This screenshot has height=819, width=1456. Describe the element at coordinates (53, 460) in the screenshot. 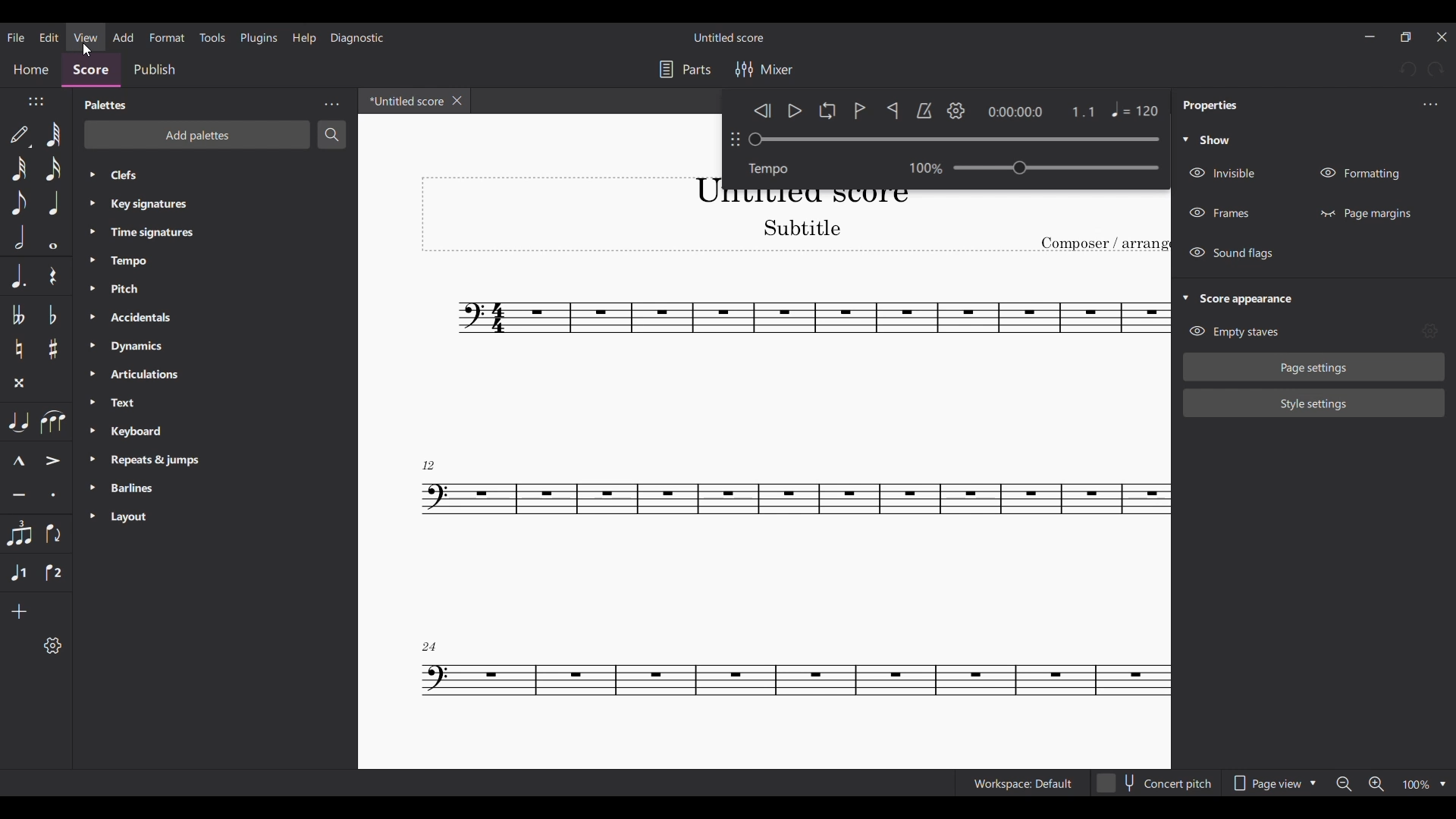

I see `Accent` at that location.